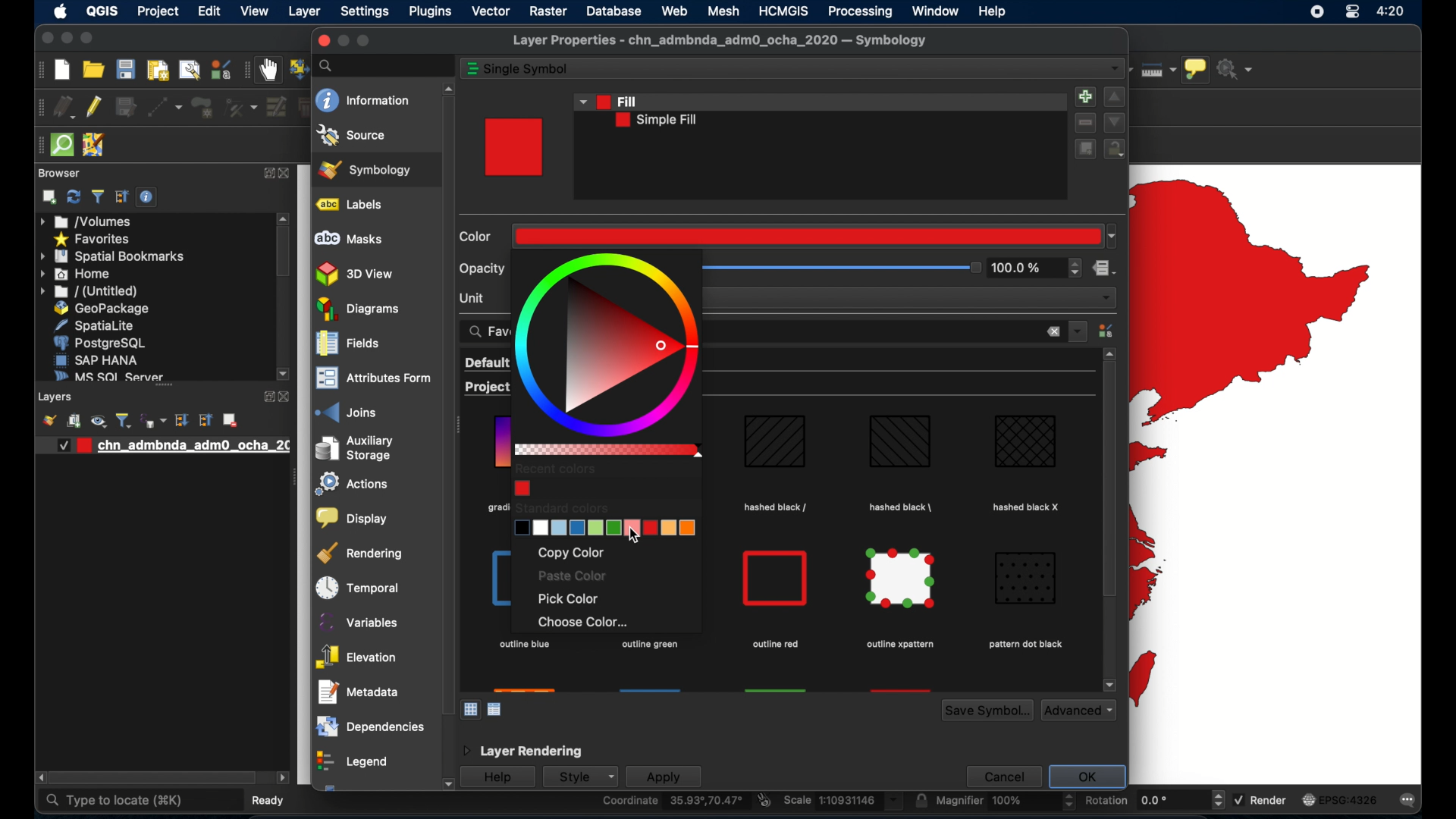 The image size is (1456, 819). Describe the element at coordinates (1260, 799) in the screenshot. I see `render` at that location.